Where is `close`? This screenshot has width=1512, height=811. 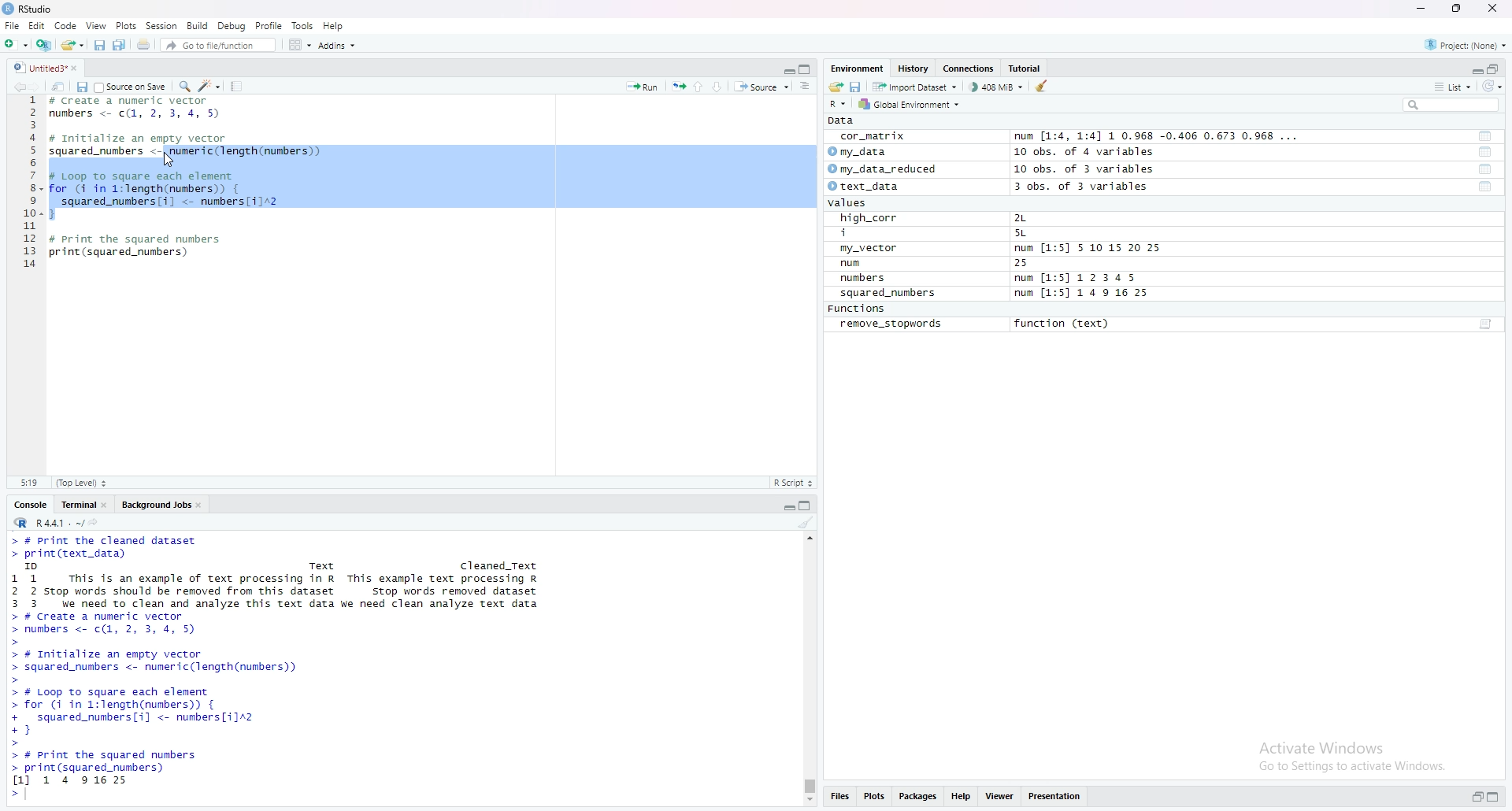 close is located at coordinates (202, 503).